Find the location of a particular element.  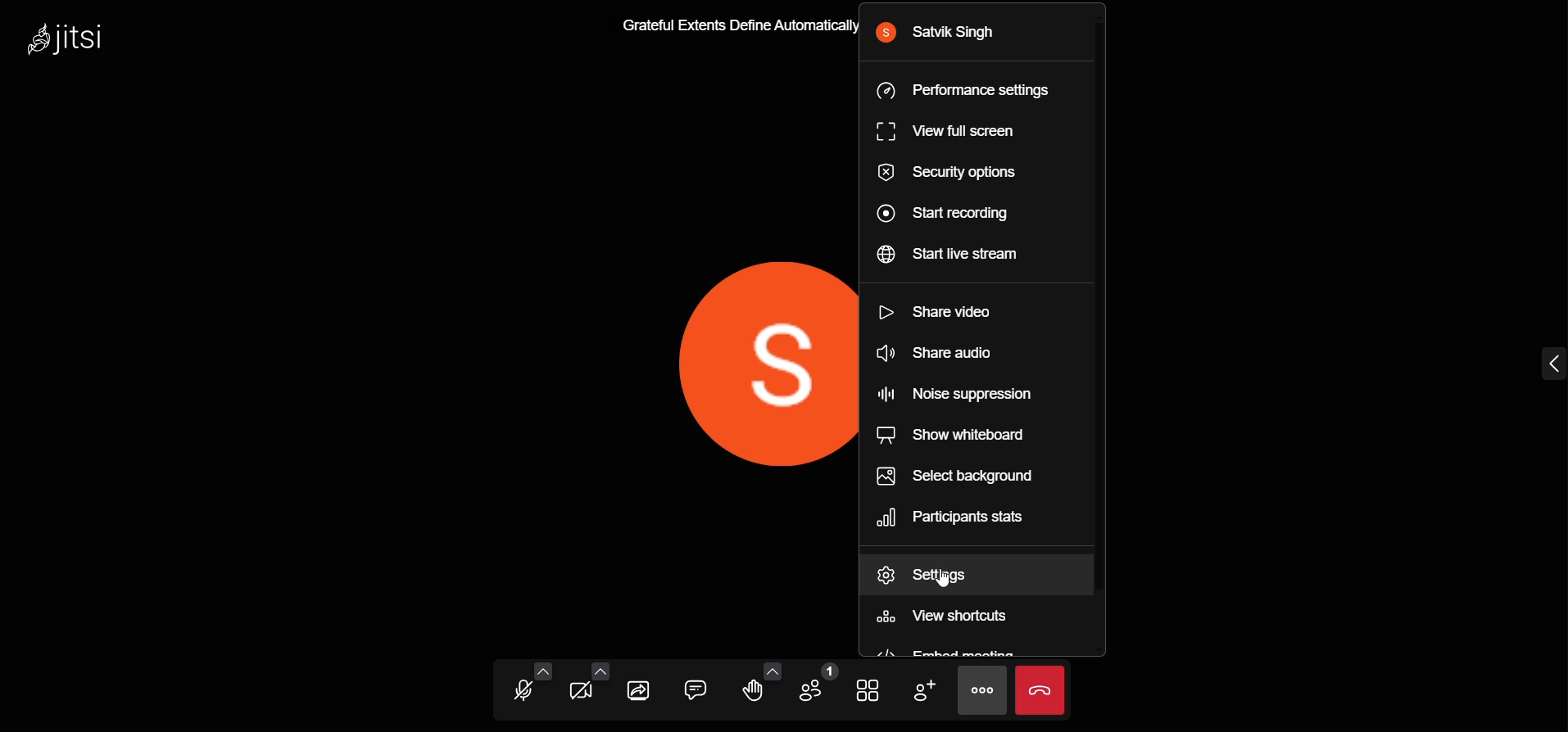

invite people is located at coordinates (921, 690).